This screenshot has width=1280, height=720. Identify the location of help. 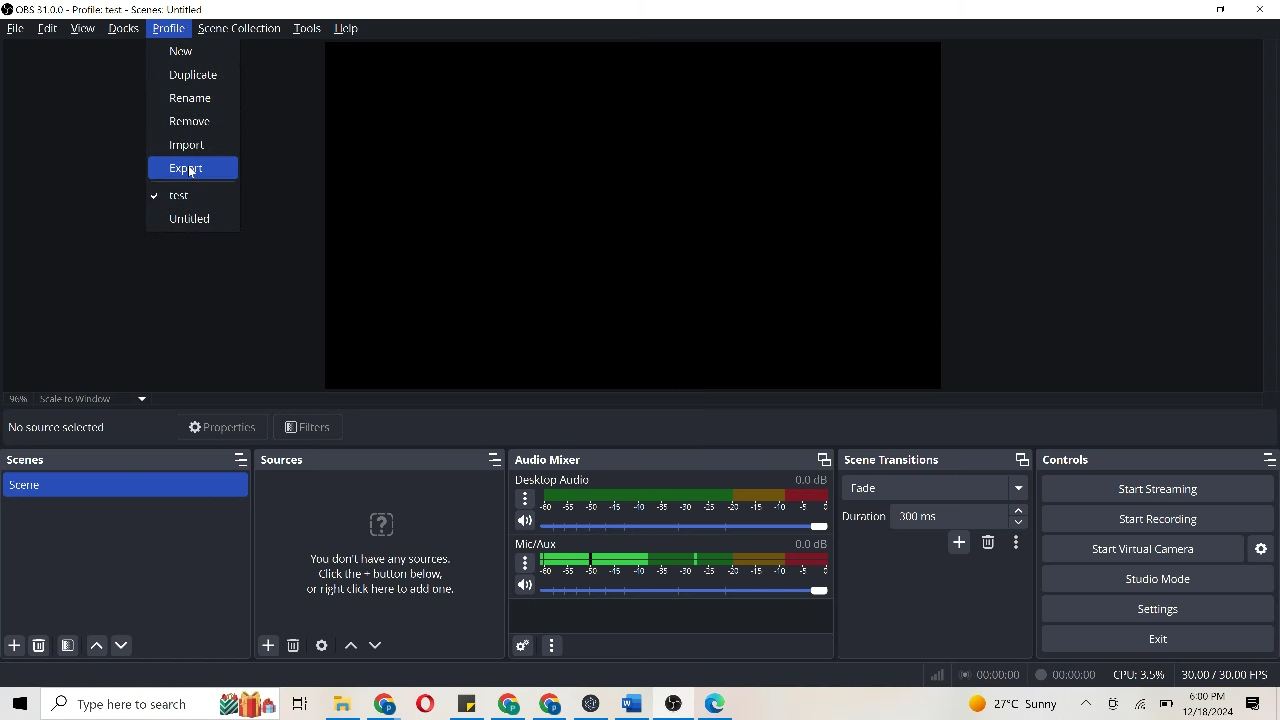
(348, 28).